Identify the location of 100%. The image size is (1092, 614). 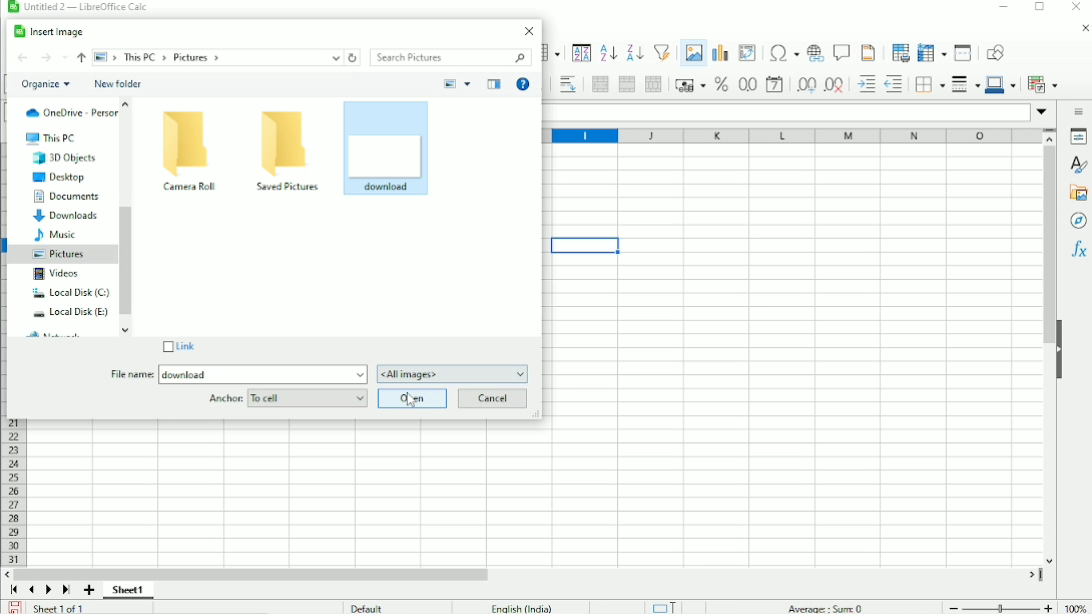
(1077, 608).